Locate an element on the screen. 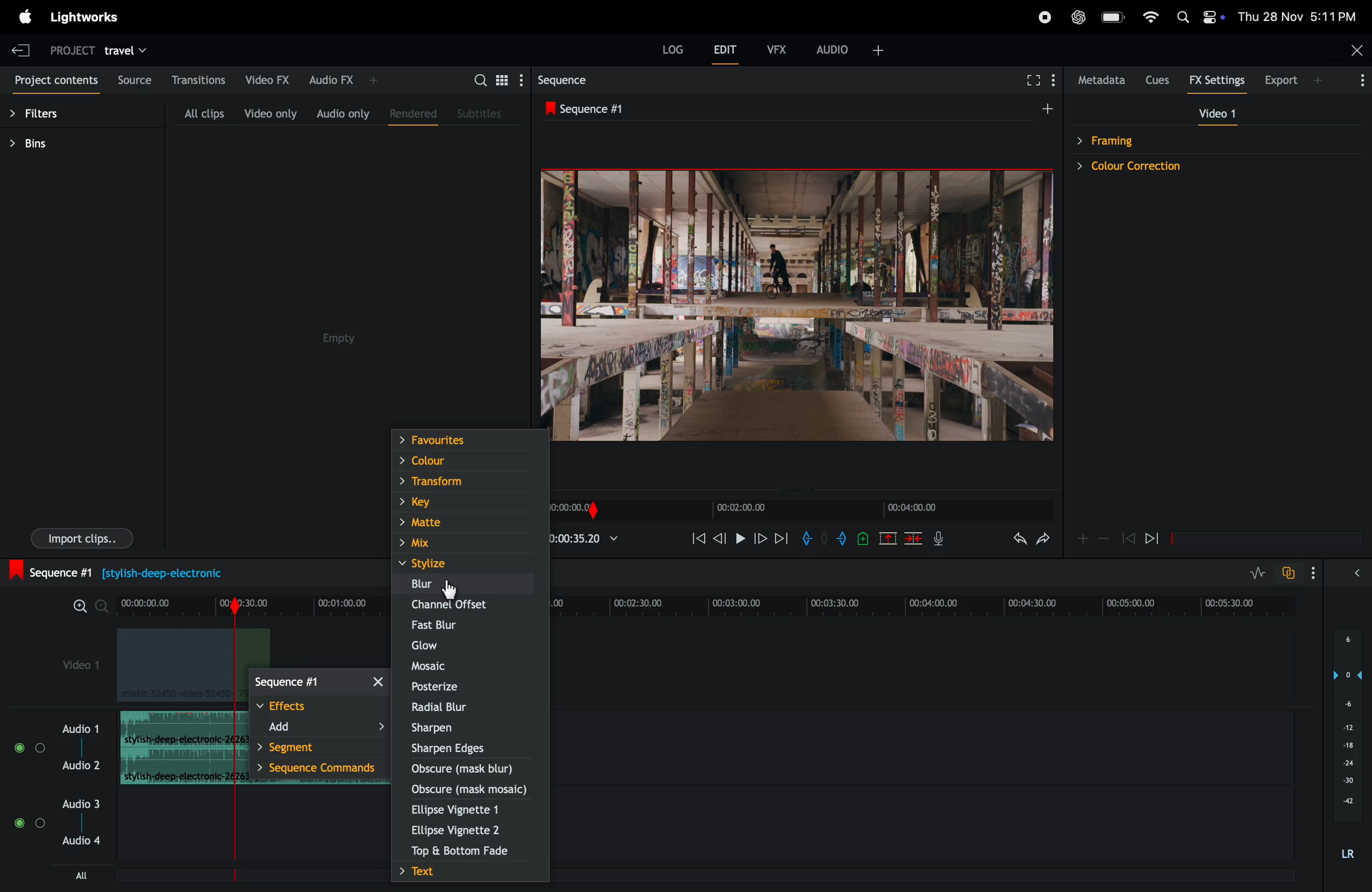 The height and width of the screenshot is (892, 1372). playback time is located at coordinates (596, 540).